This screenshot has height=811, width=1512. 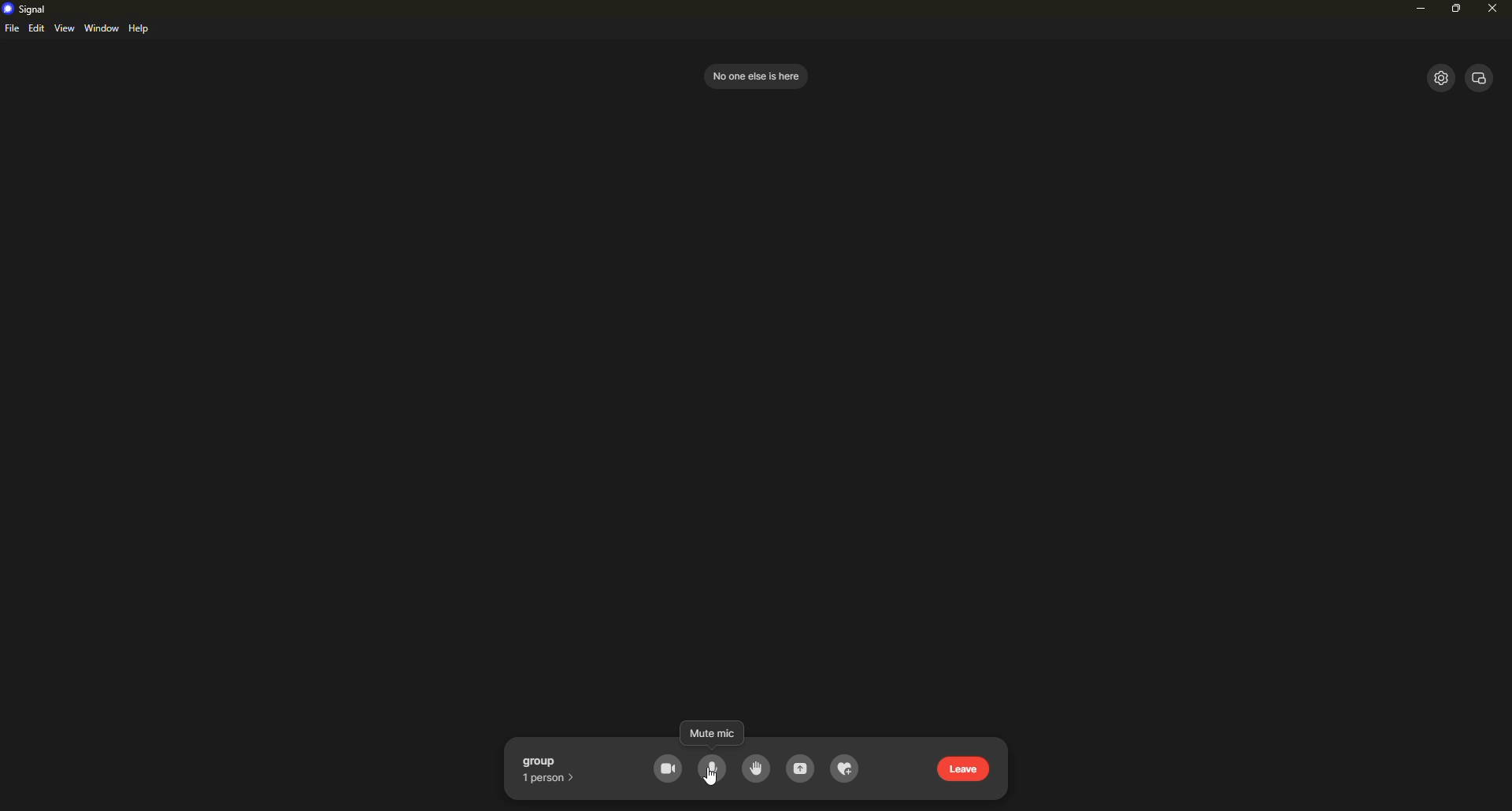 What do you see at coordinates (65, 28) in the screenshot?
I see `view` at bounding box center [65, 28].